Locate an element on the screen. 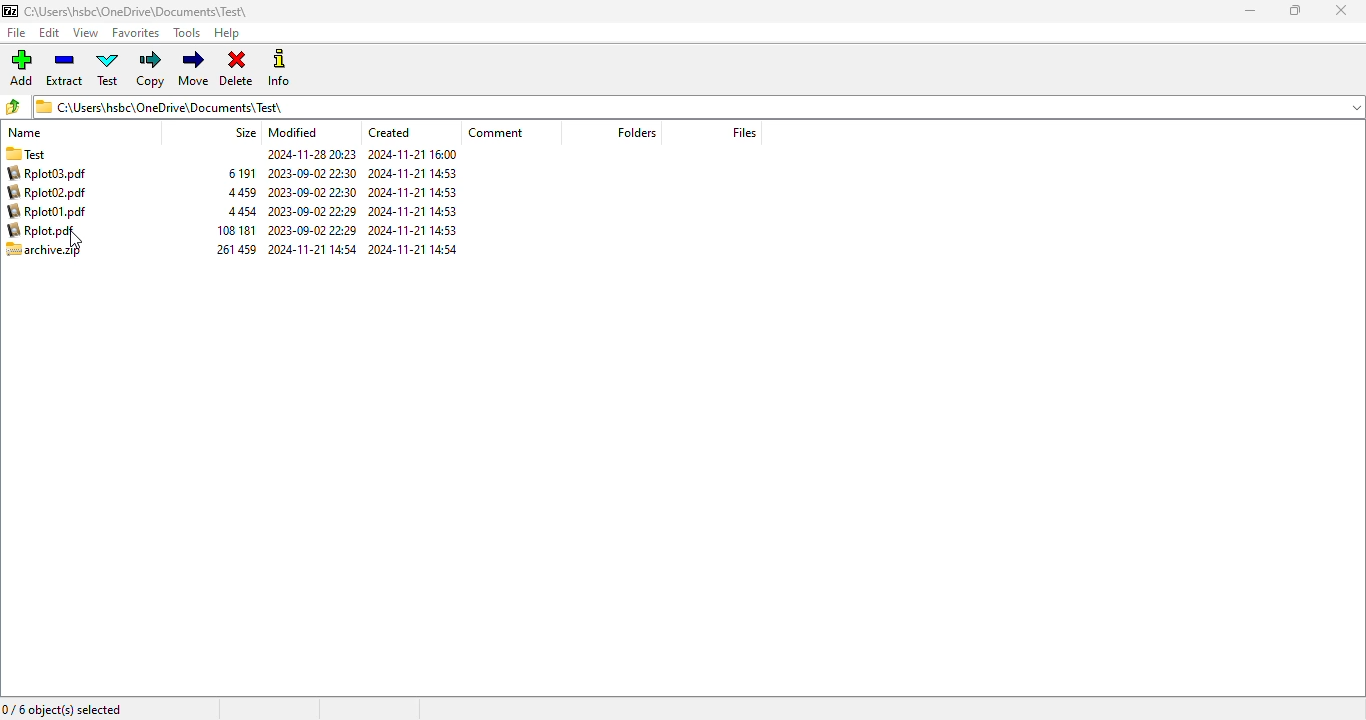 Image resolution: width=1366 pixels, height=720 pixels. delete is located at coordinates (236, 69).